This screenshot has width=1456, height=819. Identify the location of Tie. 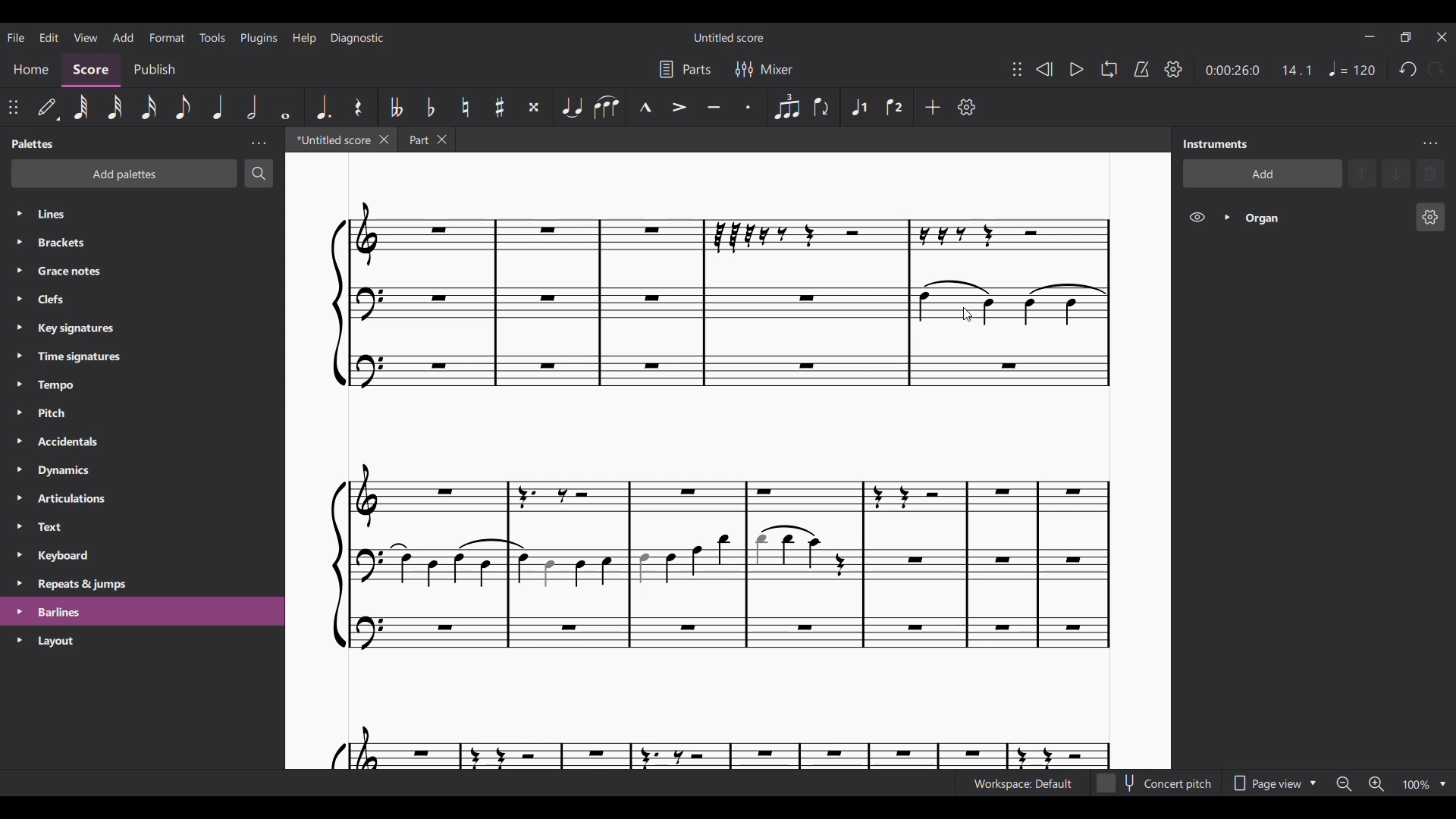
(572, 108).